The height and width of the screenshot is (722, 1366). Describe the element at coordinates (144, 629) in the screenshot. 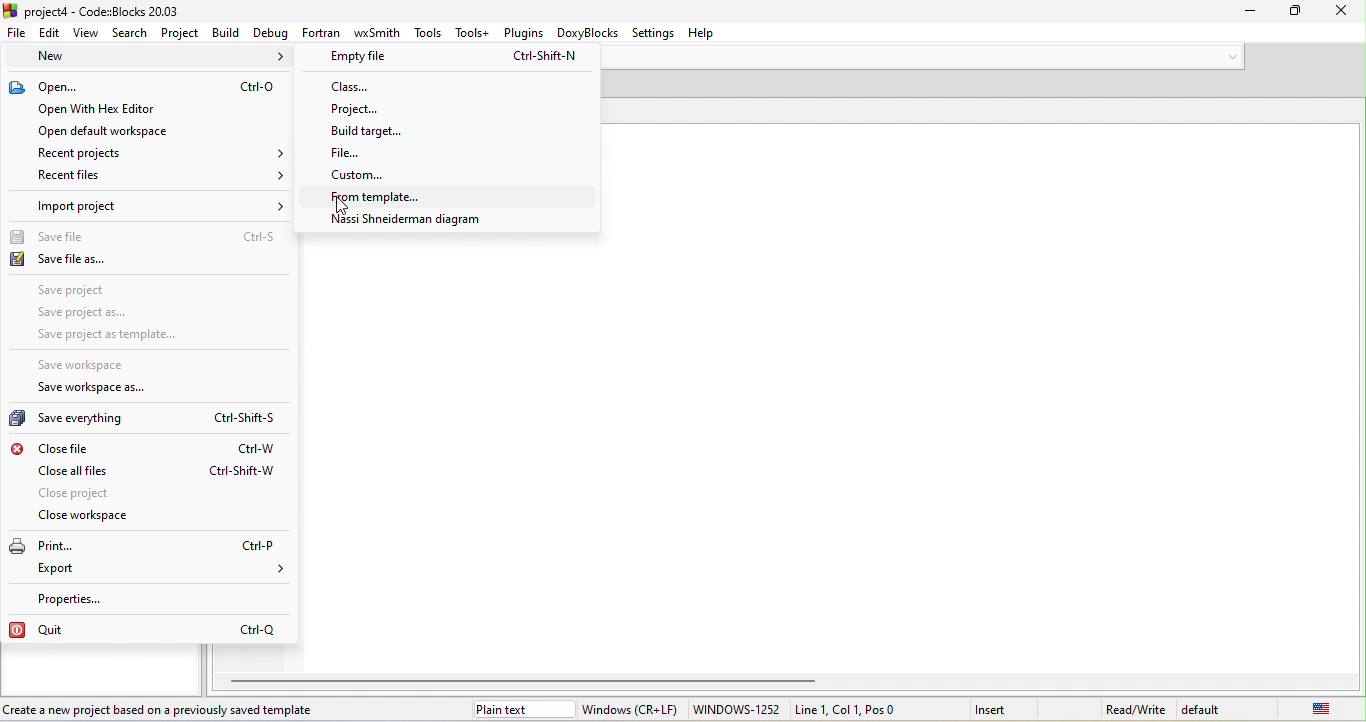

I see `quit` at that location.